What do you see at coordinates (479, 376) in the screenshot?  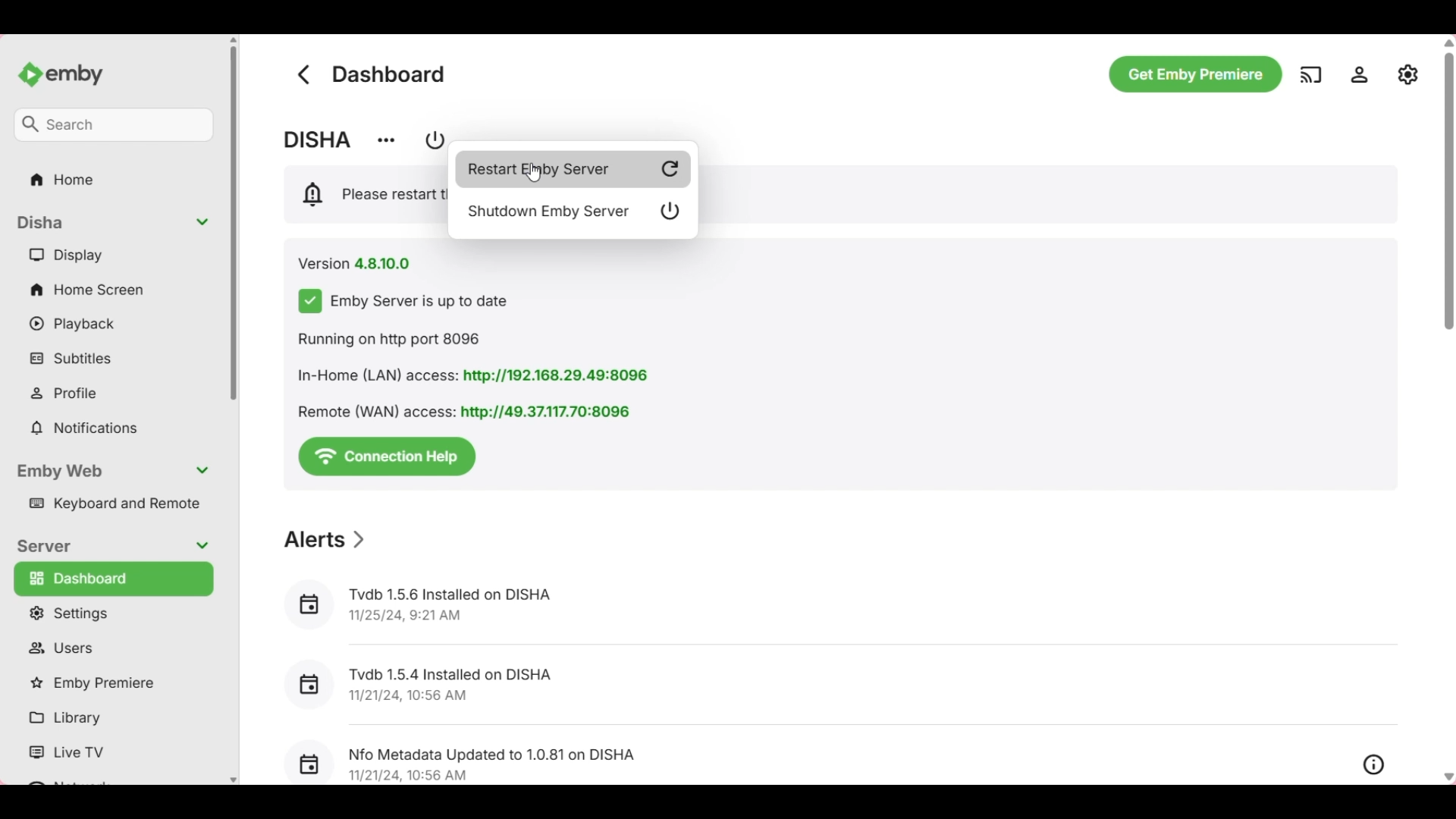 I see `More information about the server` at bounding box center [479, 376].